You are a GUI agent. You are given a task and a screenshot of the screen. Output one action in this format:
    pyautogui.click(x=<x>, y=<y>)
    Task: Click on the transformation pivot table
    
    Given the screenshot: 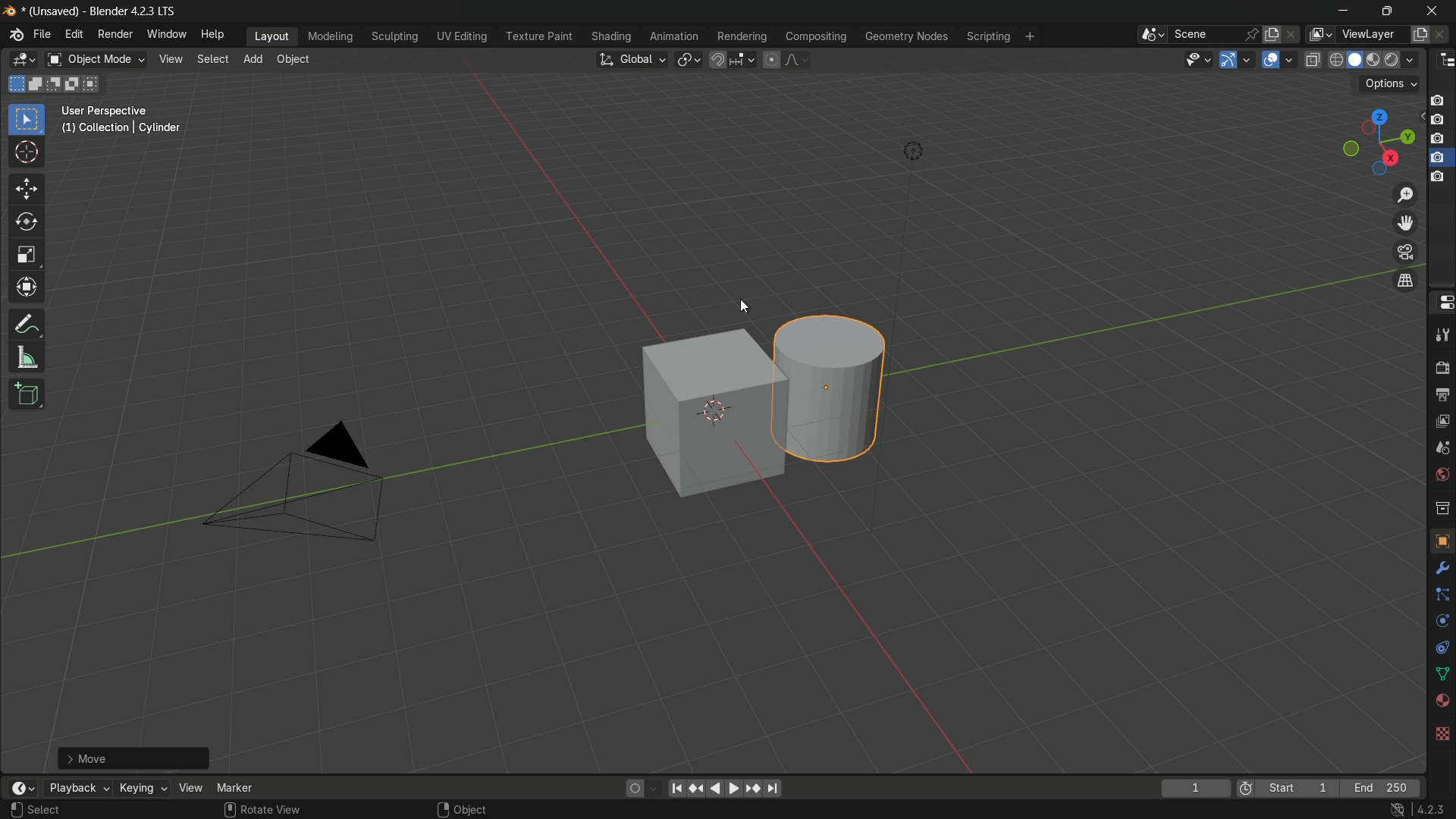 What is the action you would take?
    pyautogui.click(x=690, y=59)
    